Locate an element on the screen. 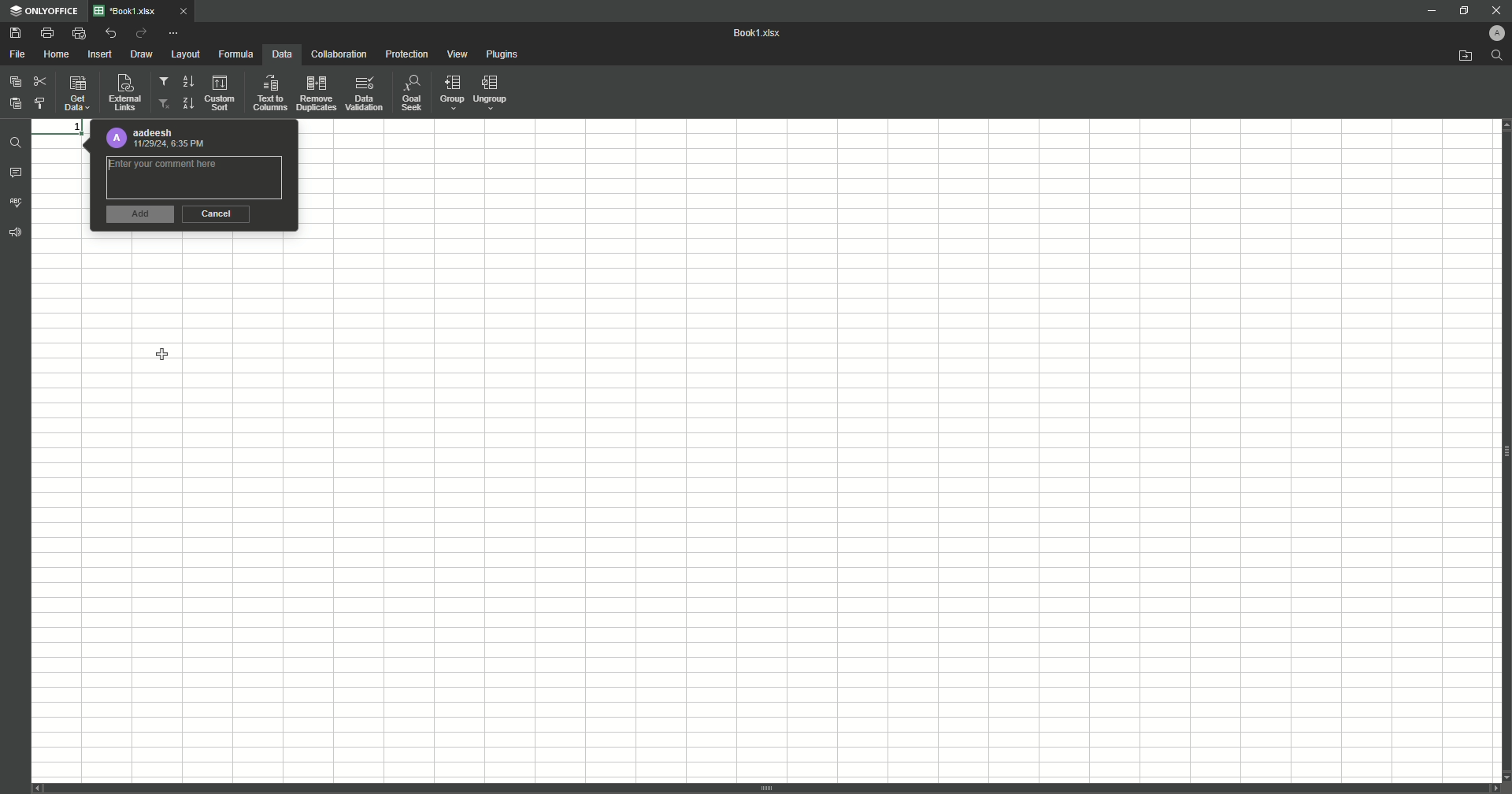 This screenshot has height=794, width=1512. Comments is located at coordinates (17, 175).